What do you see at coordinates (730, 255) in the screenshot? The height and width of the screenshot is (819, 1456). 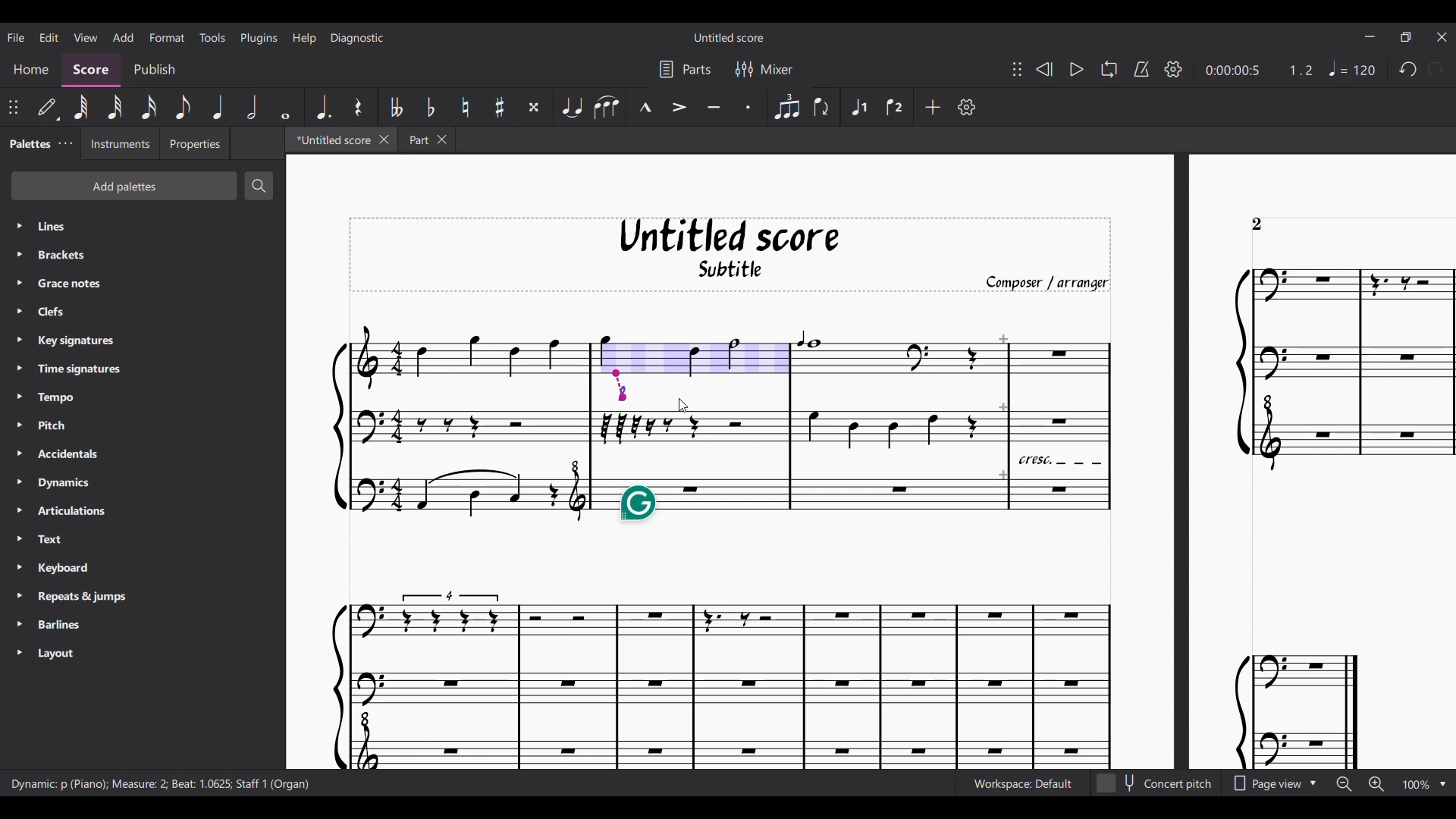 I see `Score title, sub-title, and composer name` at bounding box center [730, 255].